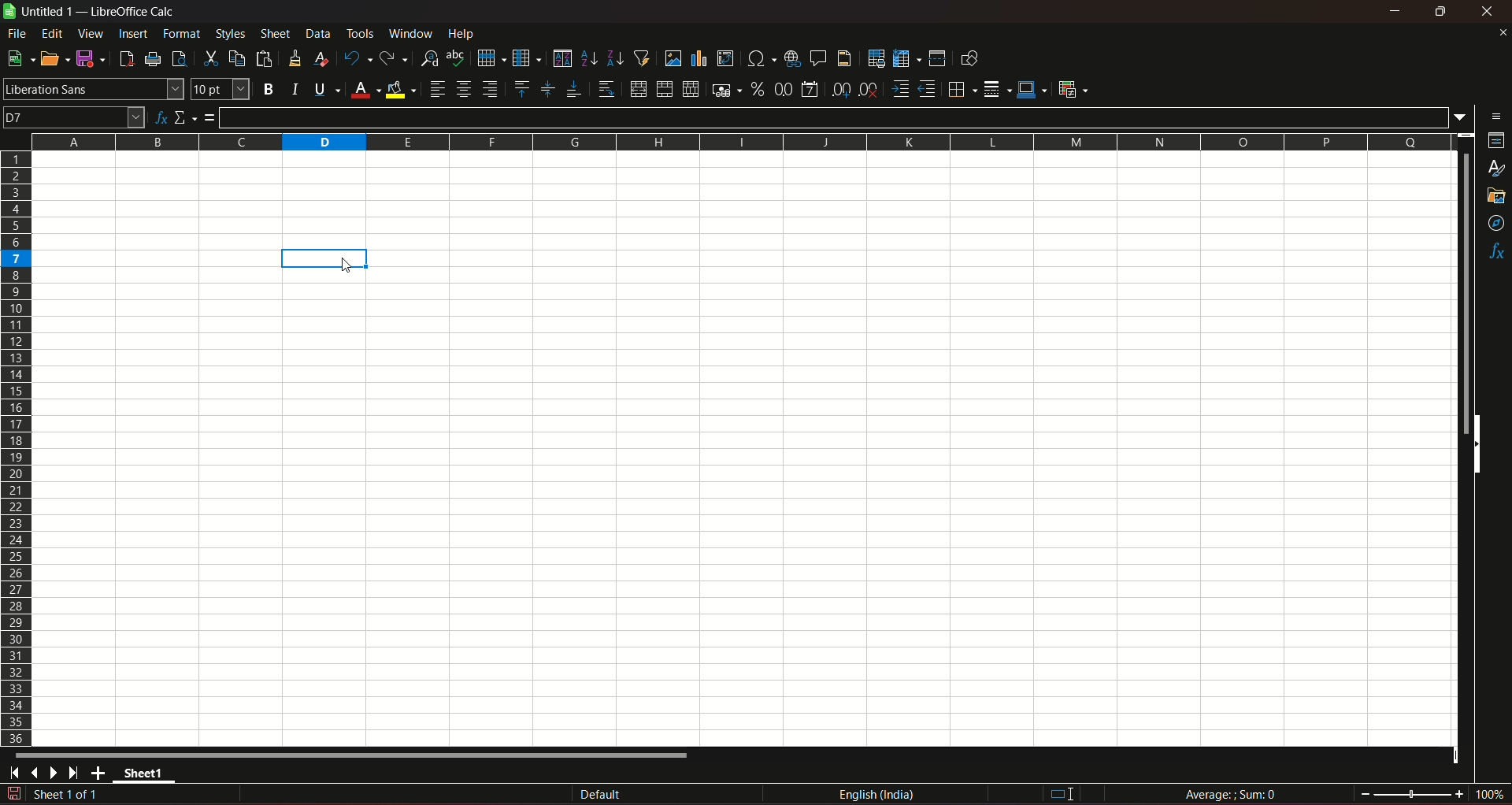  I want to click on decrease indent, so click(927, 89).